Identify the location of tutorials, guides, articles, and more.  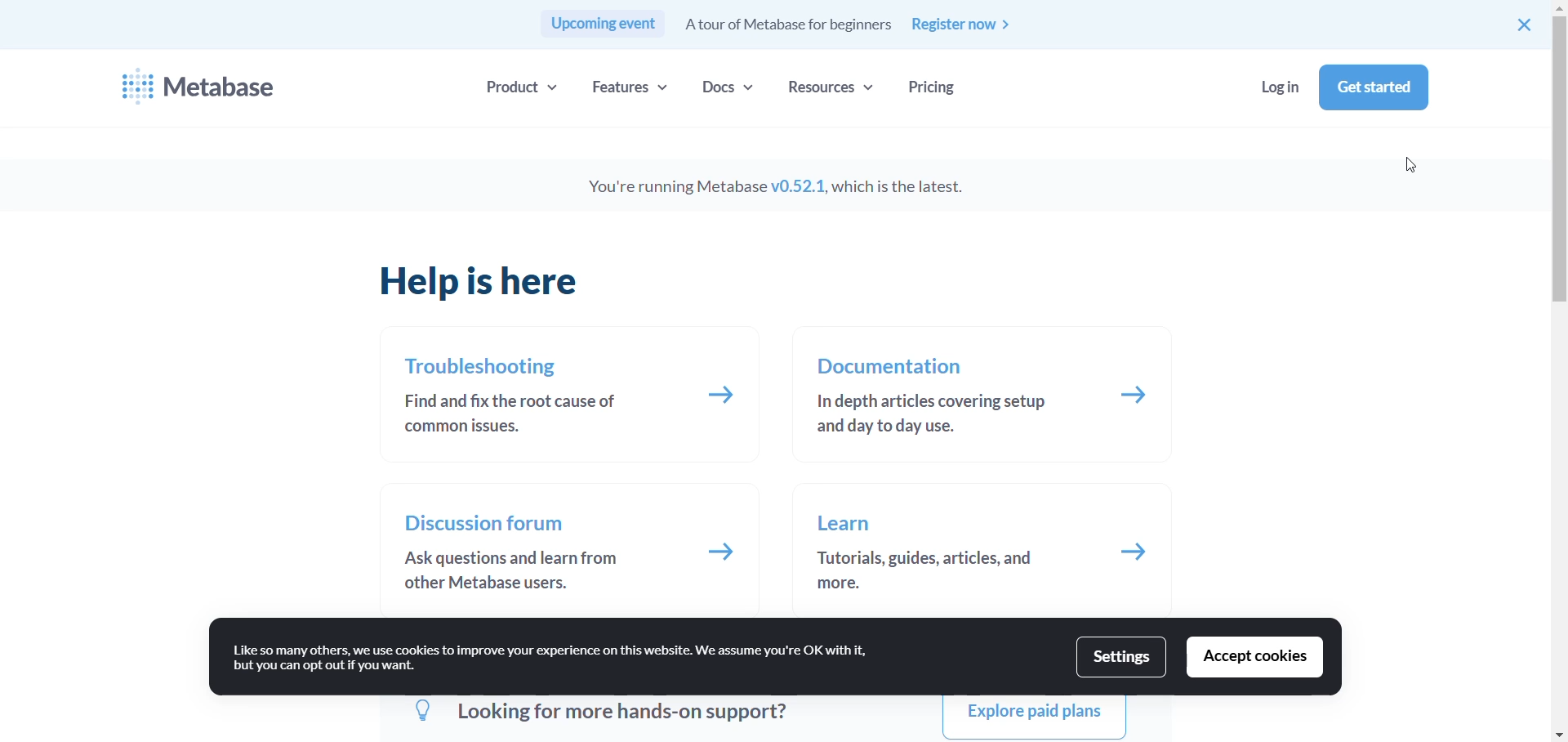
(927, 570).